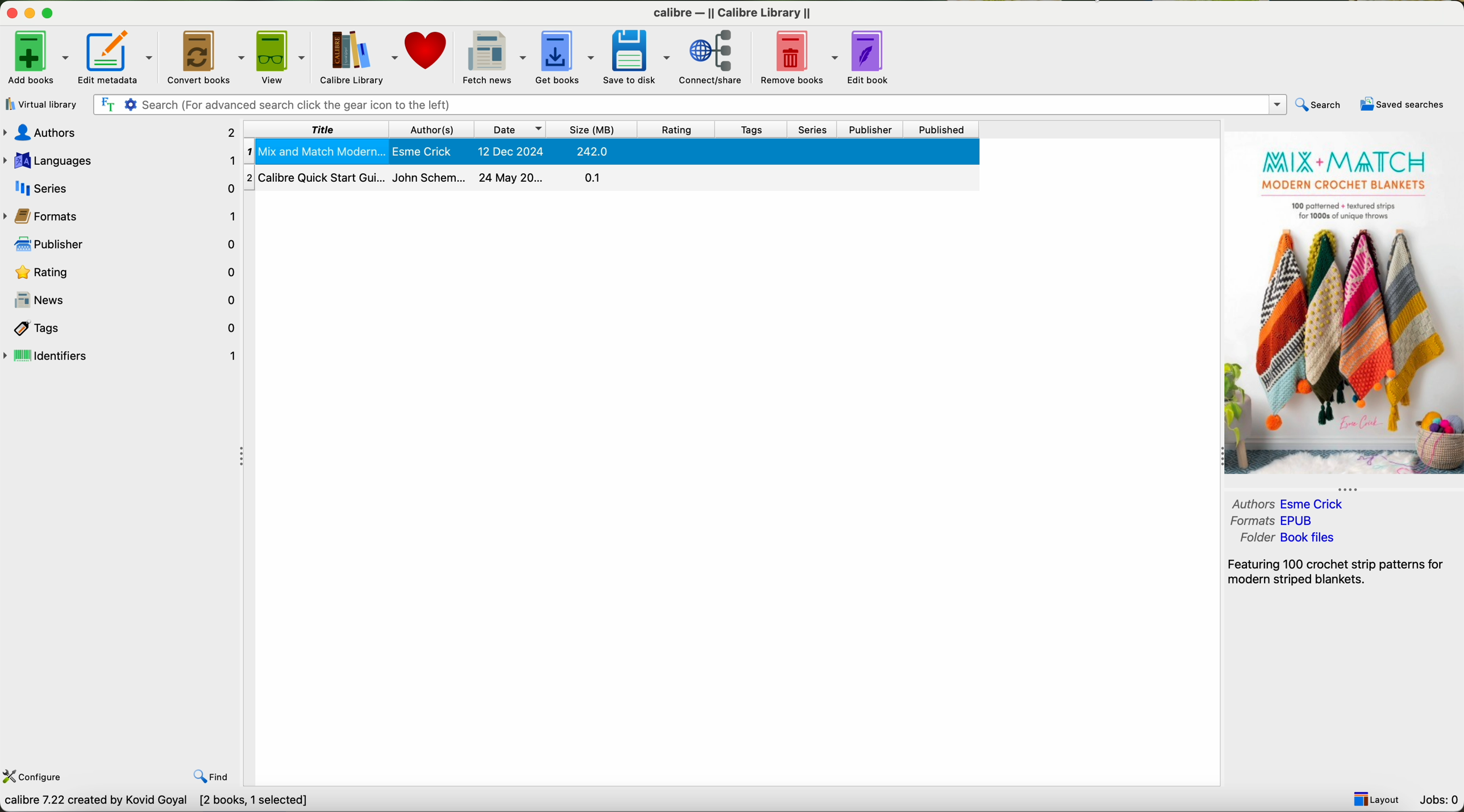 This screenshot has width=1464, height=812. I want to click on calibre library, so click(357, 56).